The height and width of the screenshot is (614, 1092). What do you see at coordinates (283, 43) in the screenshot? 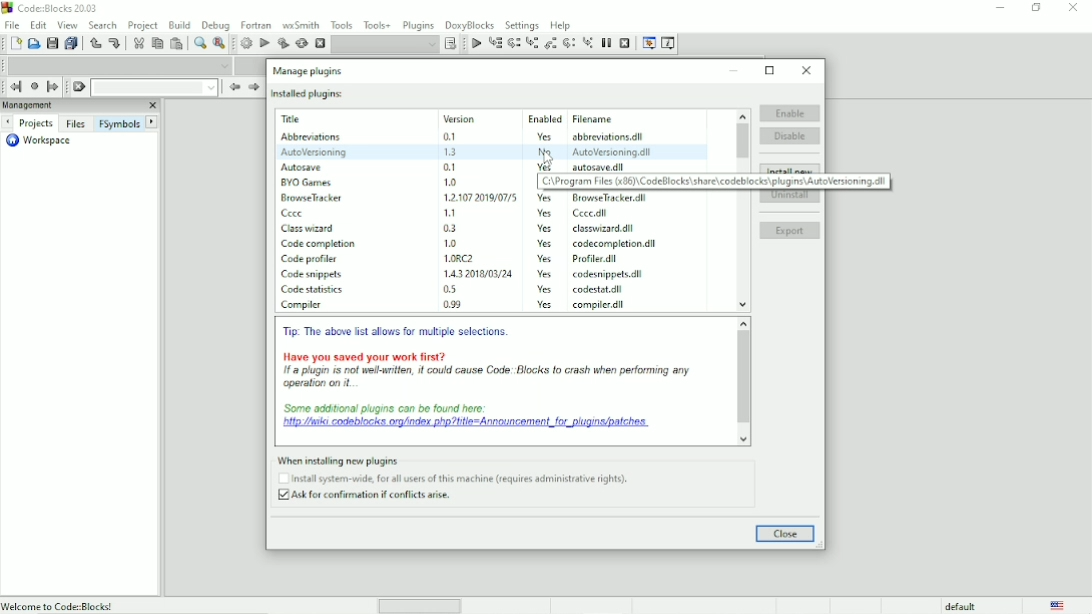
I see `Build and run` at bounding box center [283, 43].